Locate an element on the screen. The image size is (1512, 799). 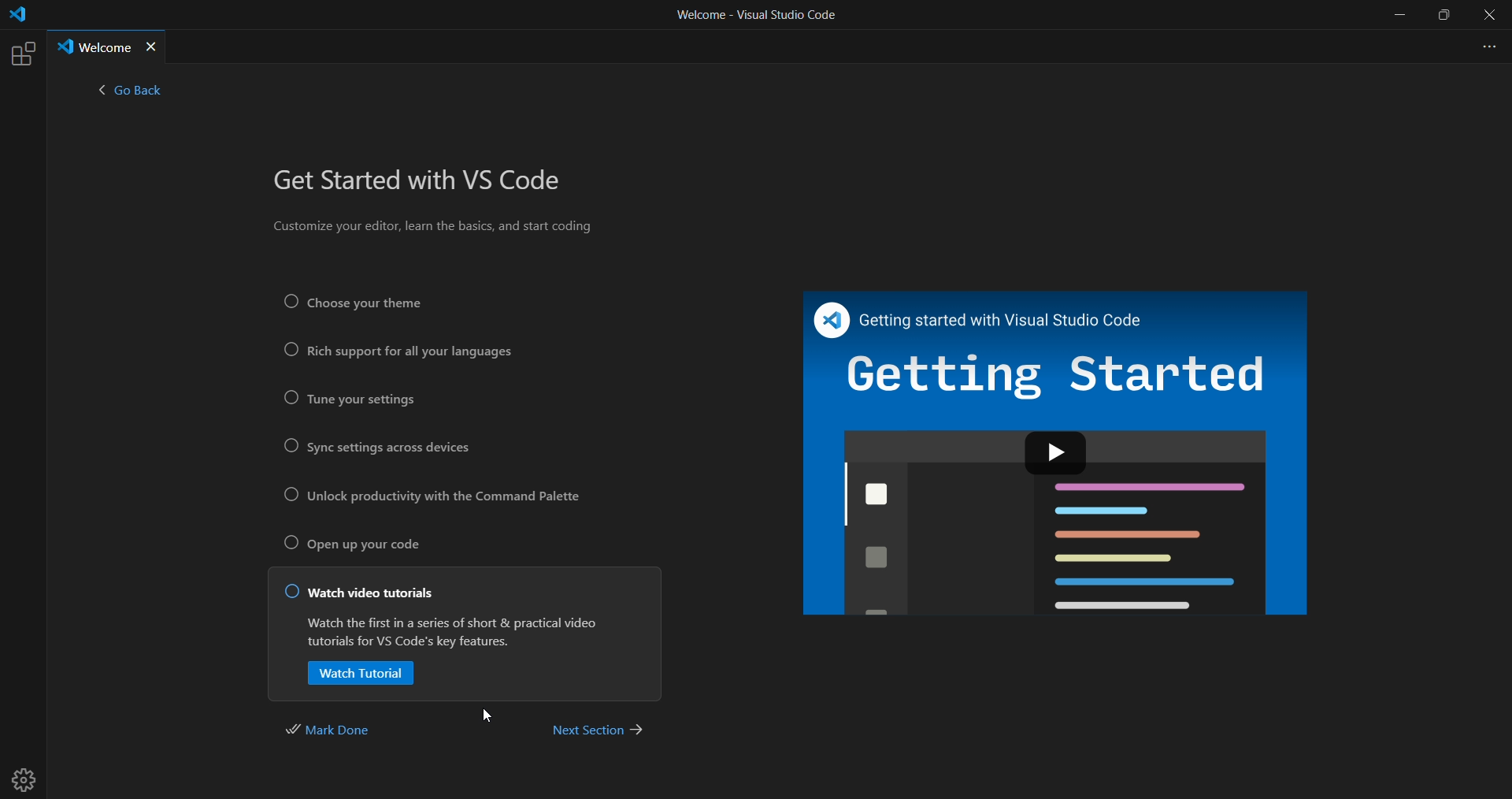
< go back is located at coordinates (130, 94).